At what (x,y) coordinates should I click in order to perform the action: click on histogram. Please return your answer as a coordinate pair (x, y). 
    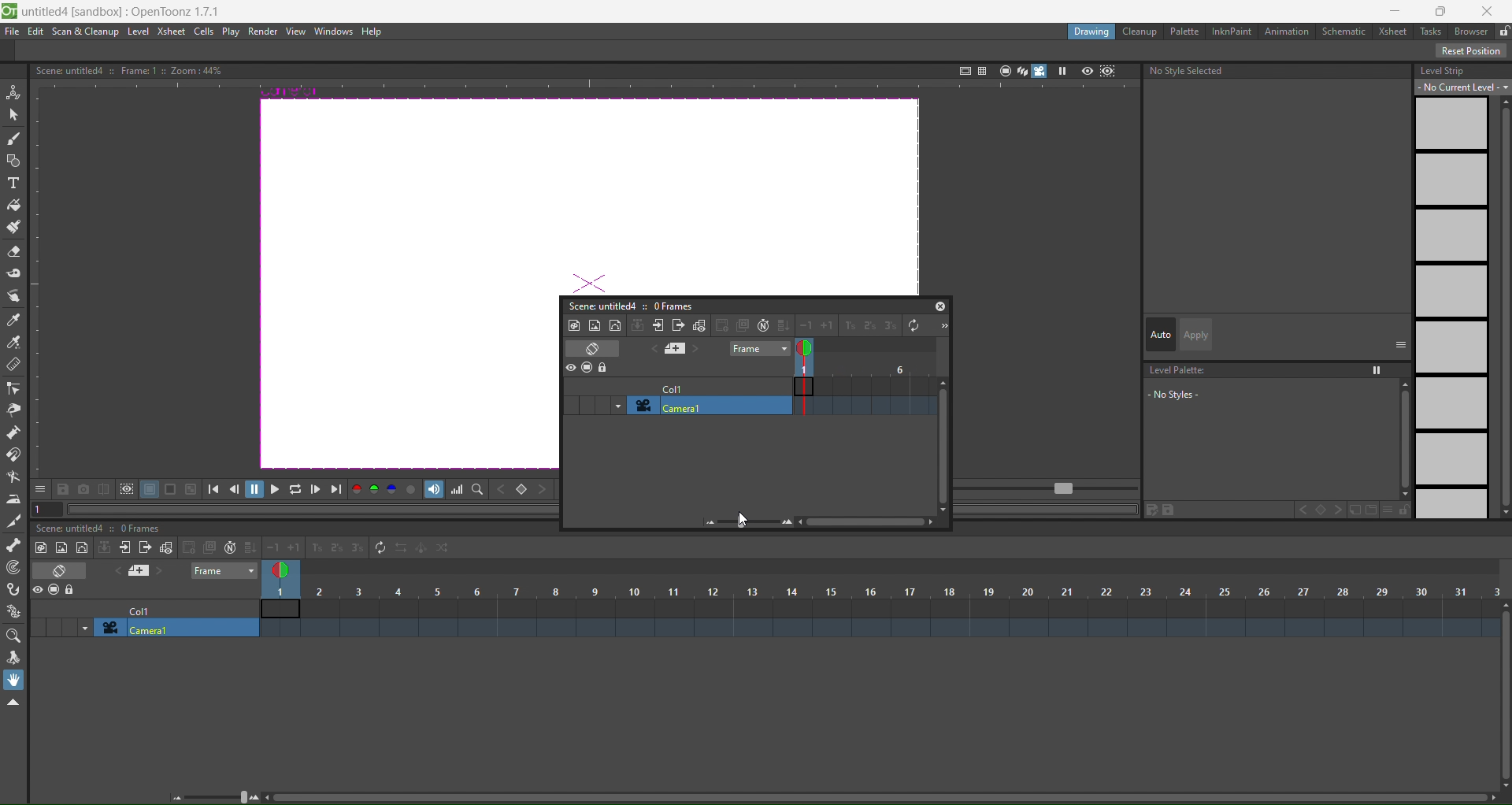
    Looking at the image, I should click on (458, 490).